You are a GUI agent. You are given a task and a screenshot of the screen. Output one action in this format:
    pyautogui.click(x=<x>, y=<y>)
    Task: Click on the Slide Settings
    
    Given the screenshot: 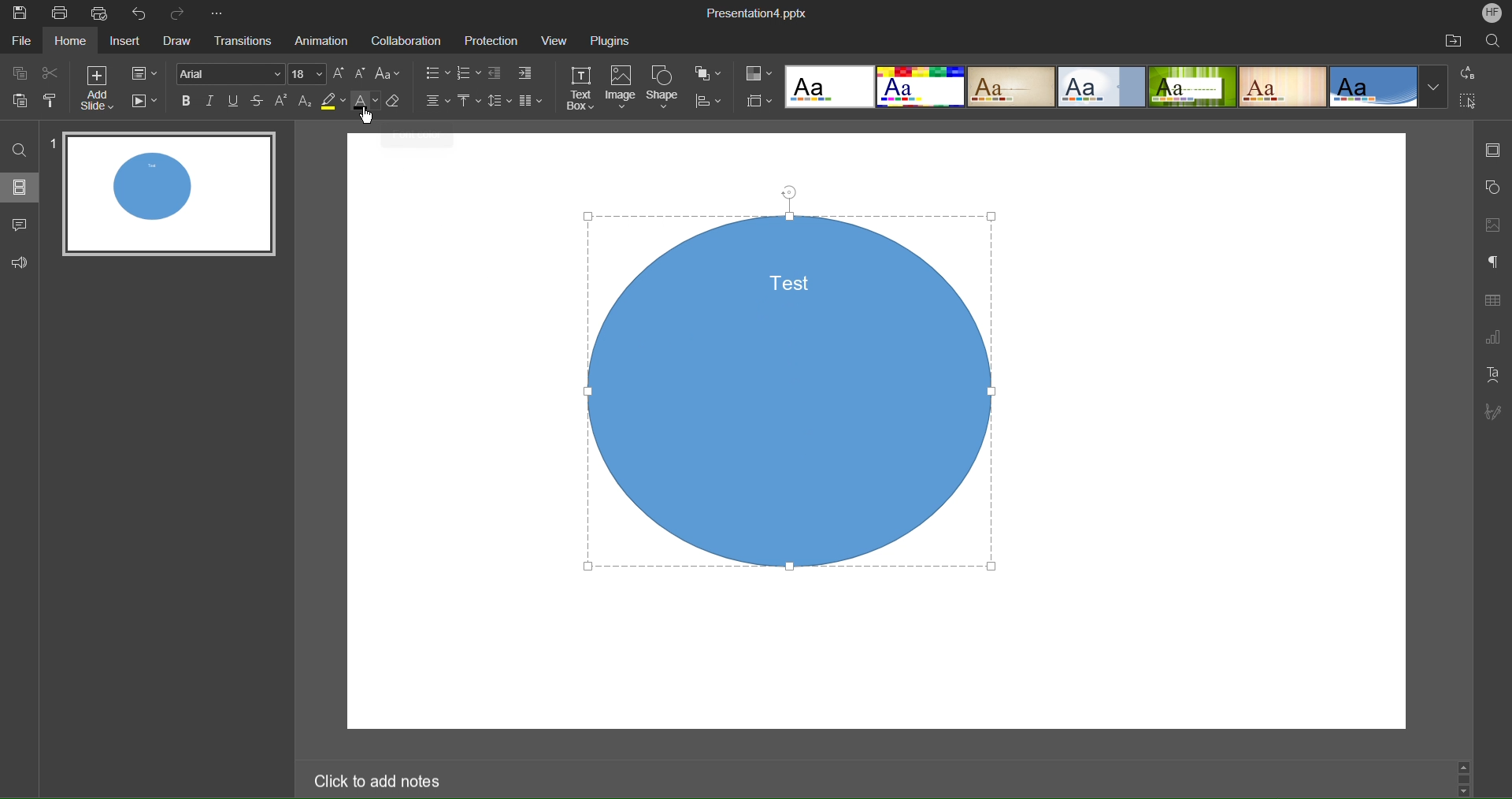 What is the action you would take?
    pyautogui.click(x=1493, y=148)
    